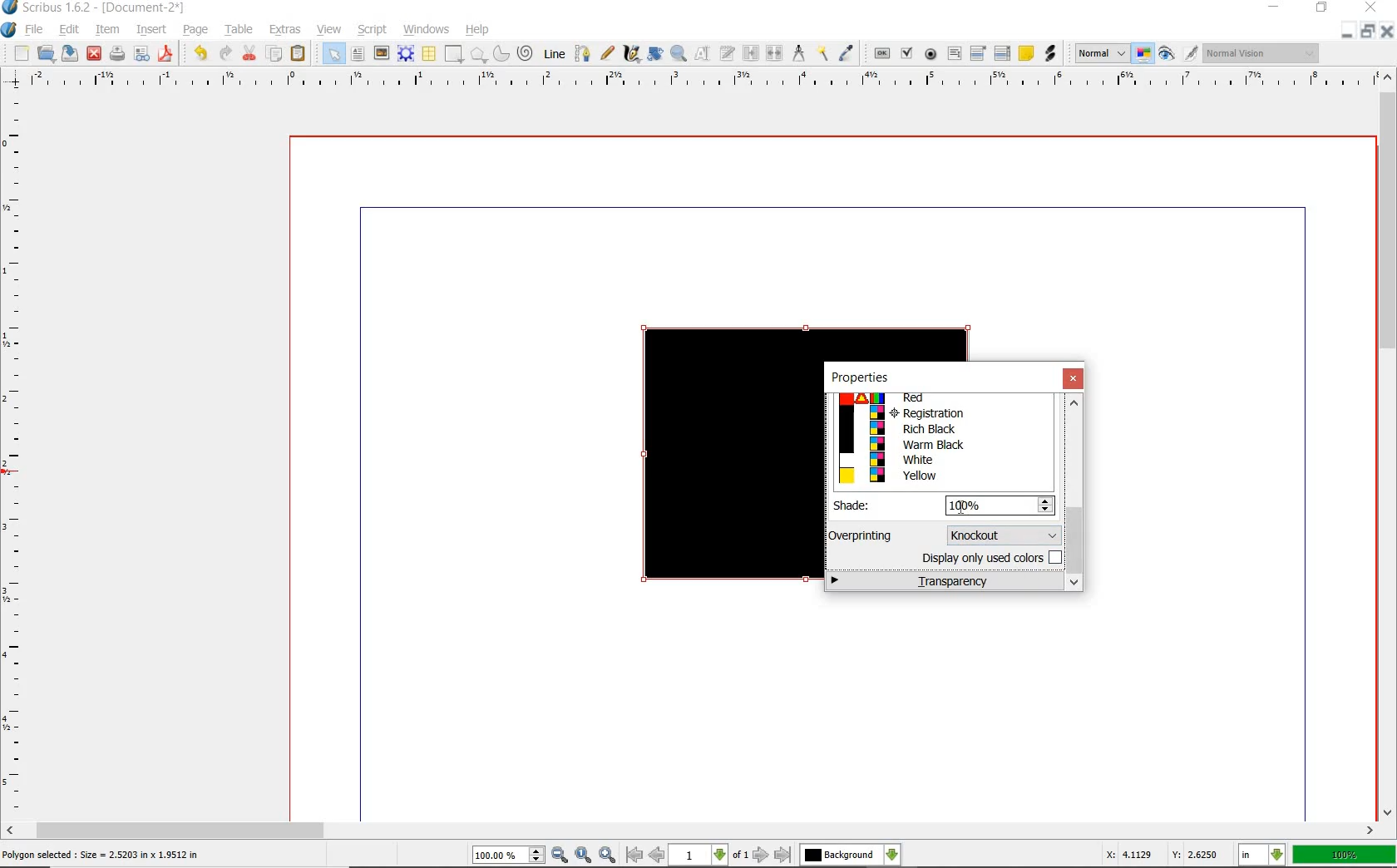 This screenshot has width=1397, height=868. What do you see at coordinates (96, 8) in the screenshot?
I see `Scribus 1.6.2 - [Document-2*]` at bounding box center [96, 8].